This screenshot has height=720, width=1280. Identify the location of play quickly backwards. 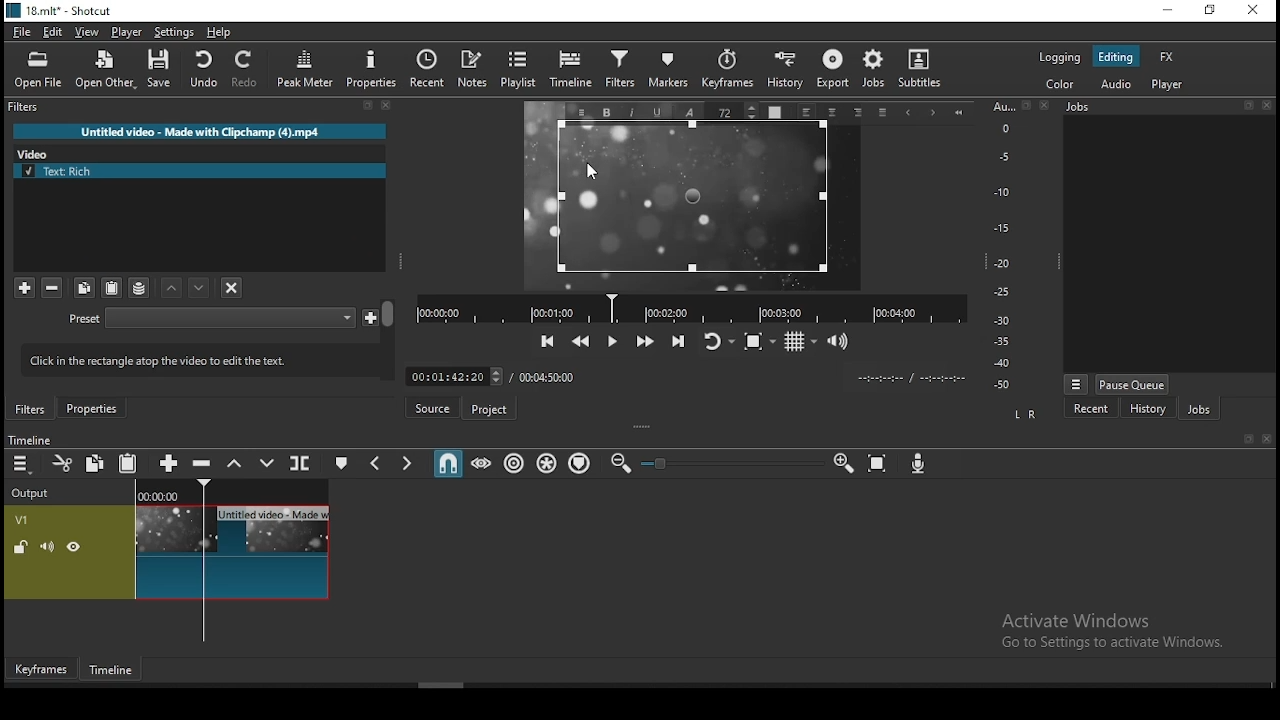
(580, 341).